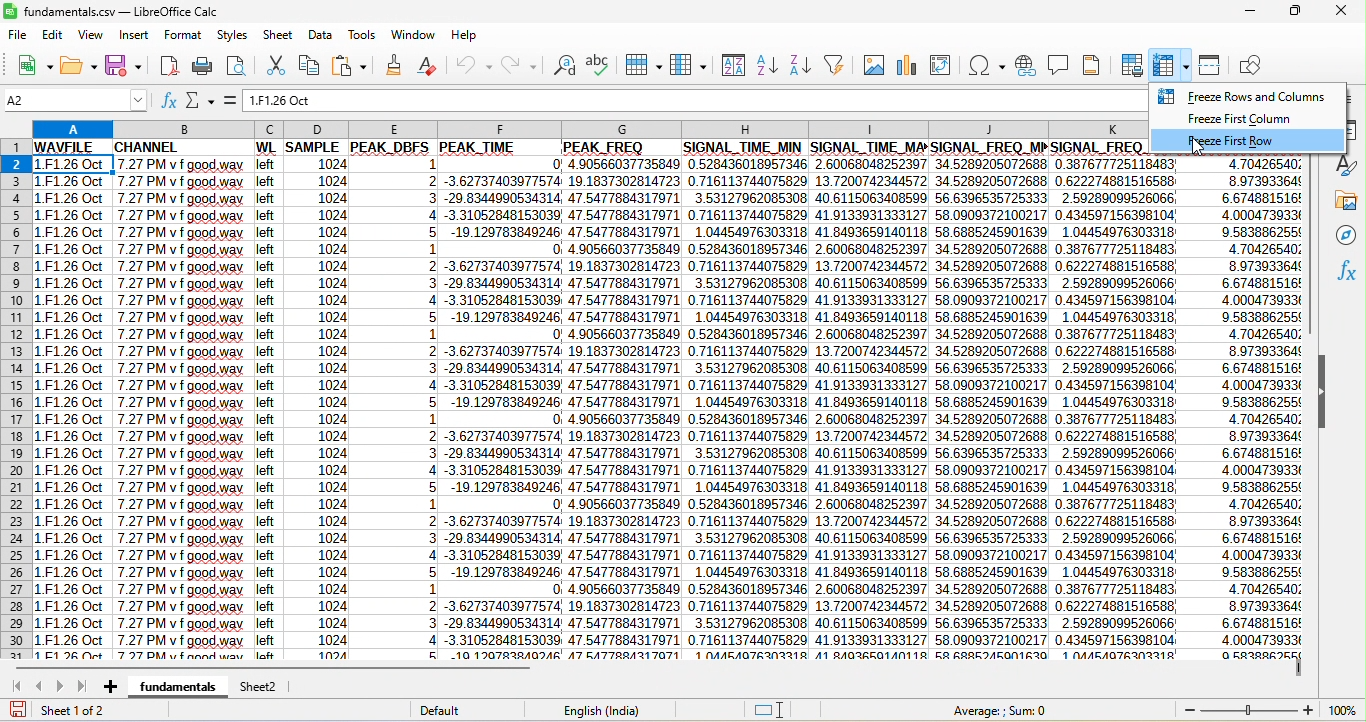 The height and width of the screenshot is (722, 1366). Describe the element at coordinates (940, 65) in the screenshot. I see `pivot table` at that location.